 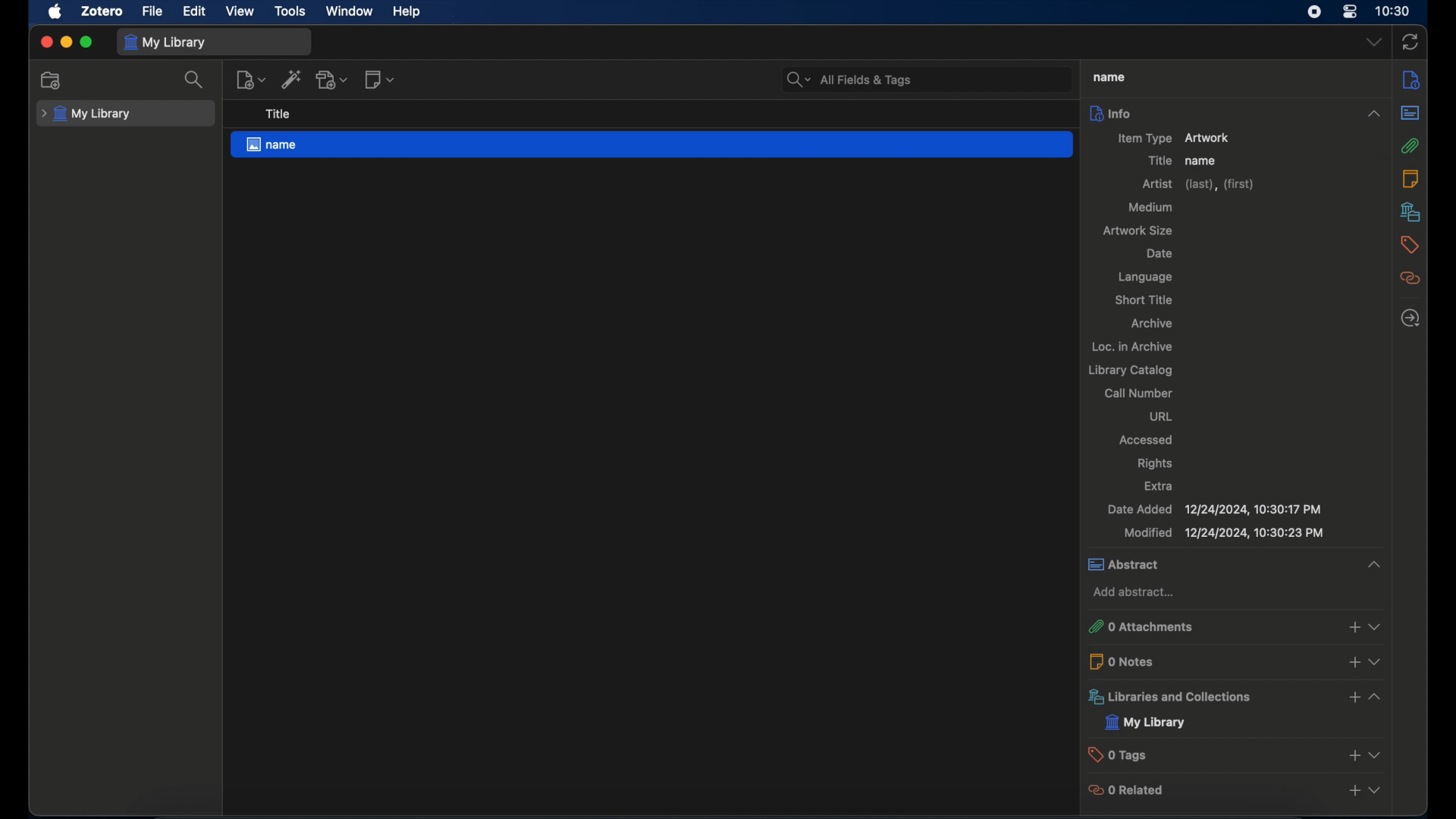 What do you see at coordinates (1353, 666) in the screenshot?
I see `add` at bounding box center [1353, 666].